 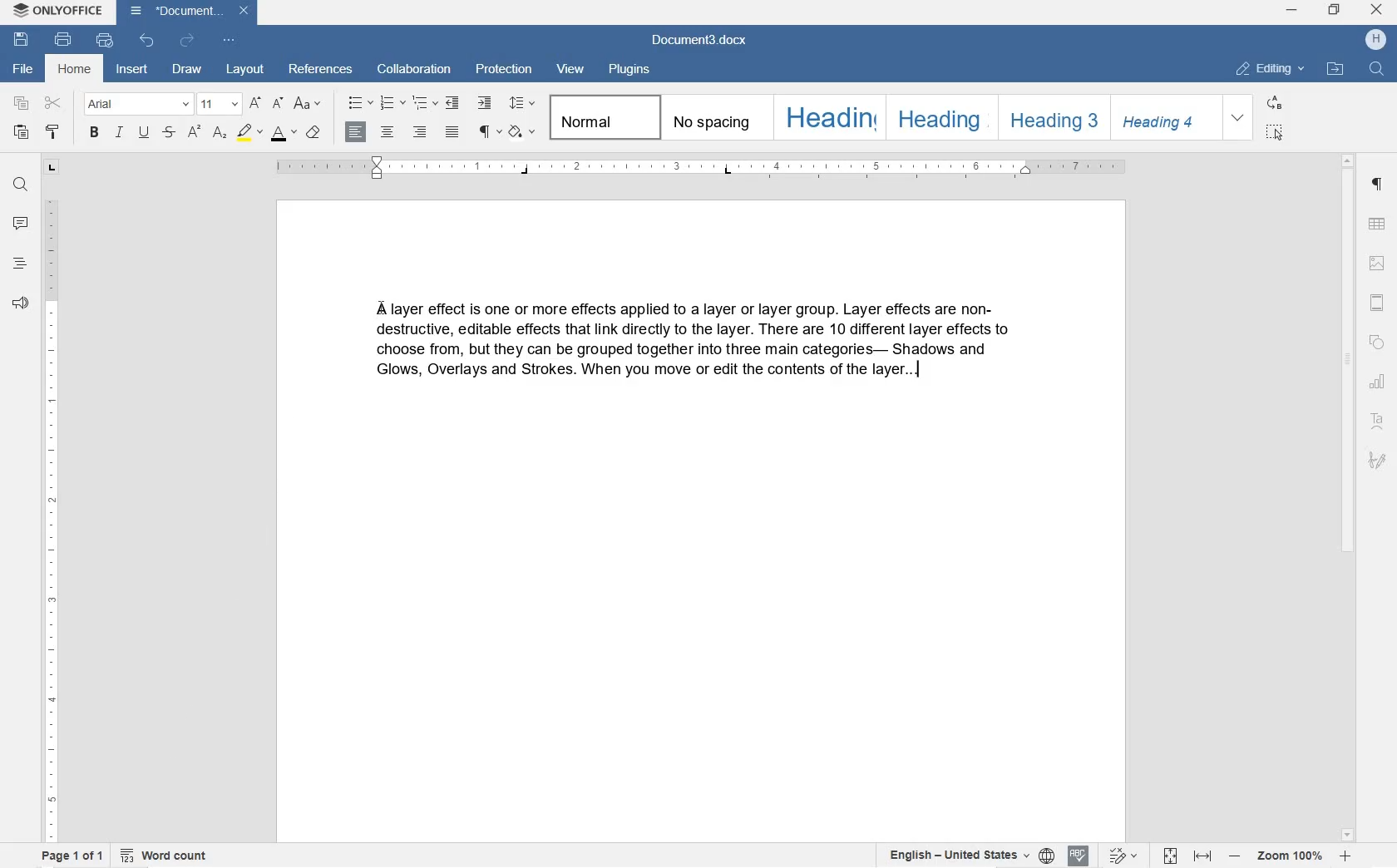 What do you see at coordinates (72, 69) in the screenshot?
I see `HOME` at bounding box center [72, 69].